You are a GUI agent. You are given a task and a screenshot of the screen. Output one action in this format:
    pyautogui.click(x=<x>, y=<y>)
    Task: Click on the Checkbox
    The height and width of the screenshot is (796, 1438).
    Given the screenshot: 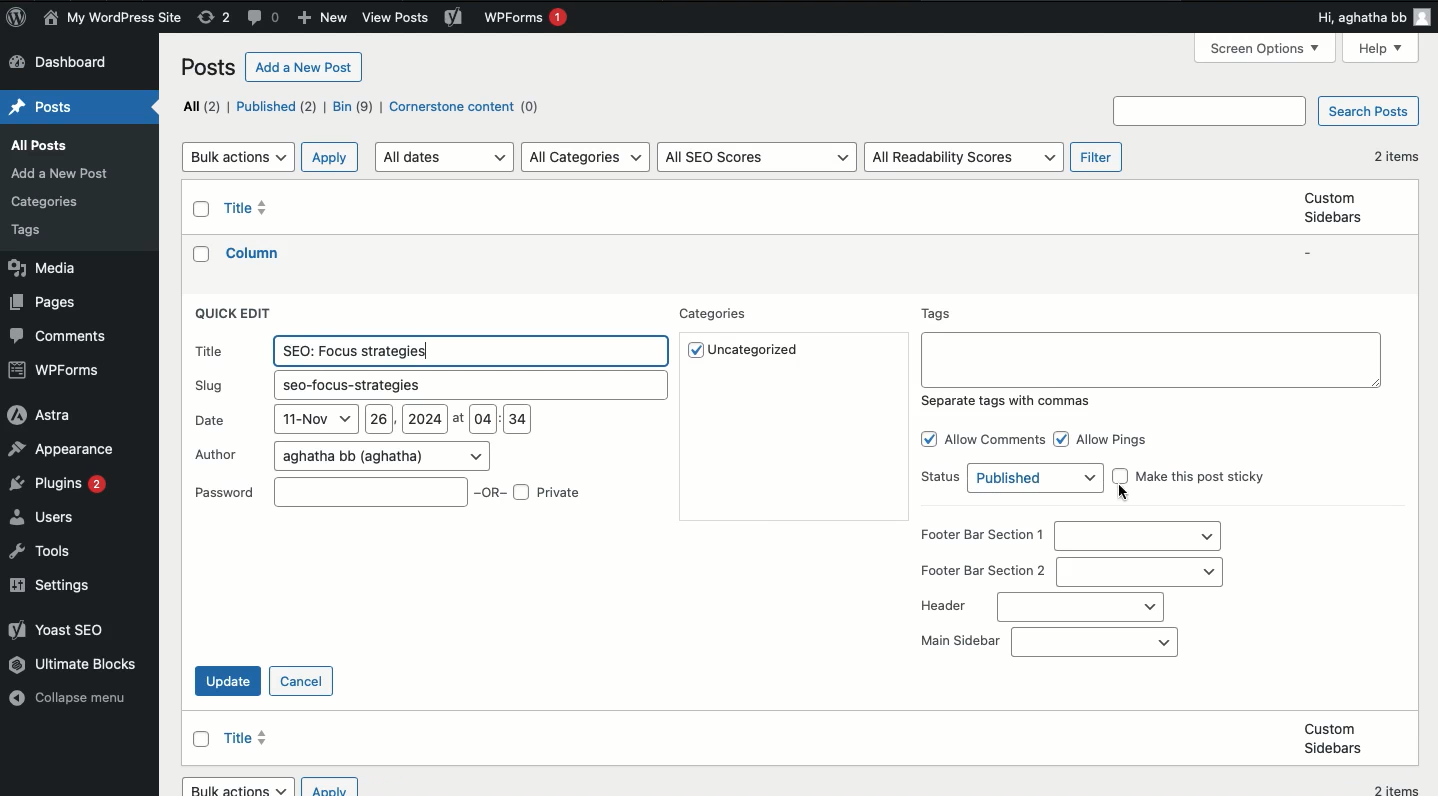 What is the action you would take?
    pyautogui.click(x=203, y=254)
    